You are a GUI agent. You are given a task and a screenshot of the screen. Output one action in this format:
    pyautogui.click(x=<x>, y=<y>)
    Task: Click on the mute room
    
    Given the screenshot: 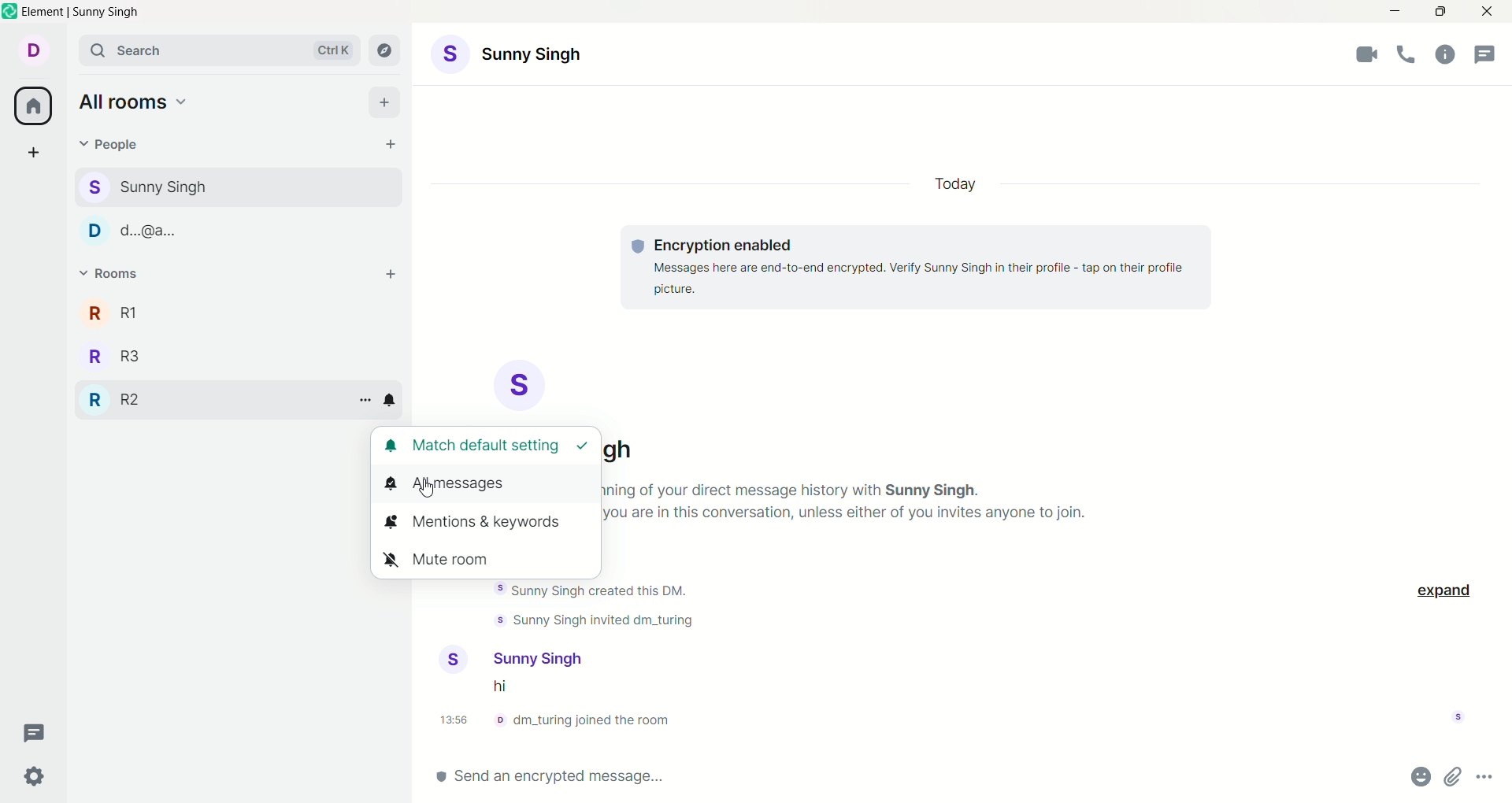 What is the action you would take?
    pyautogui.click(x=447, y=559)
    